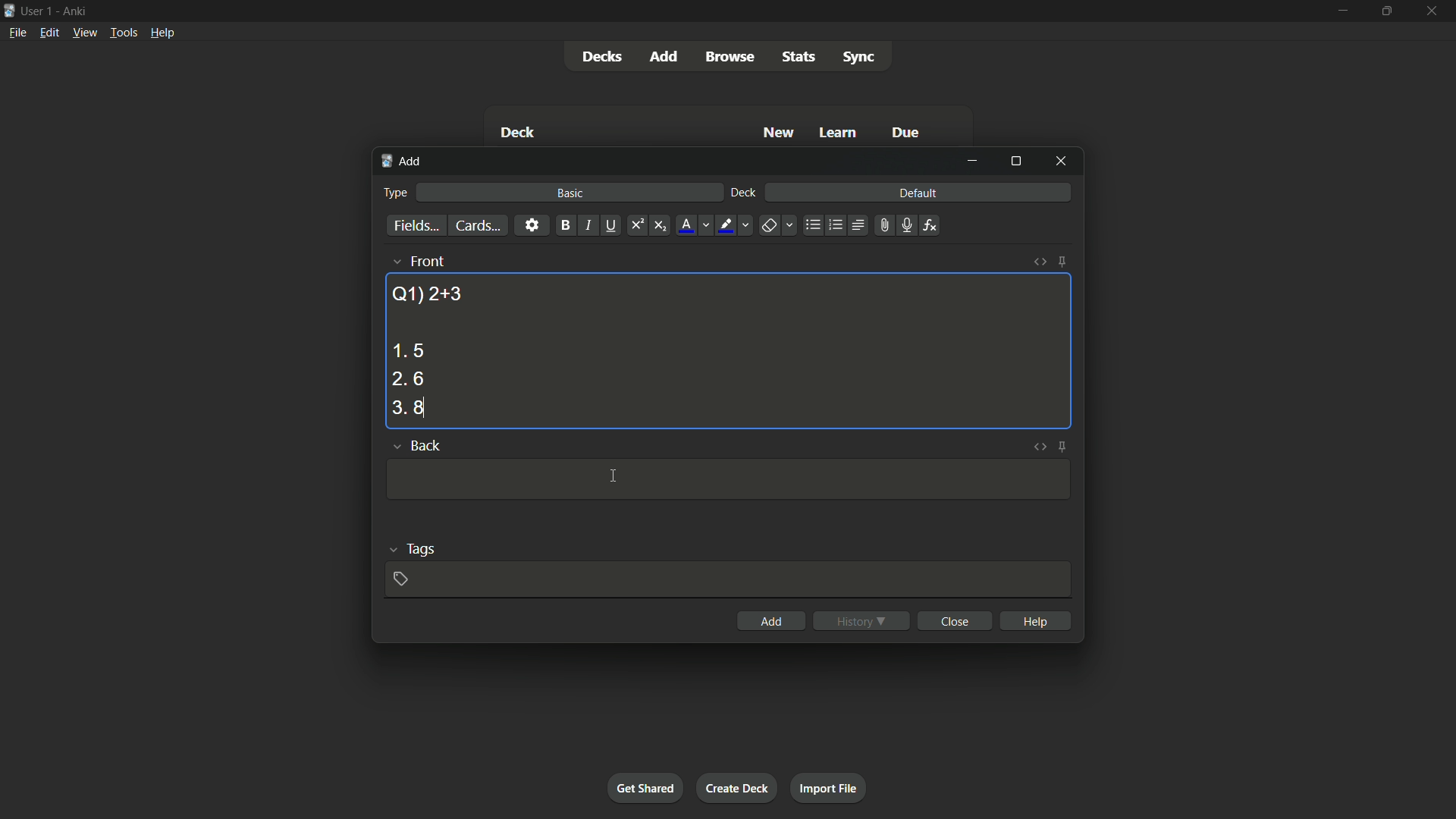  What do you see at coordinates (123, 32) in the screenshot?
I see `tools menu` at bounding box center [123, 32].